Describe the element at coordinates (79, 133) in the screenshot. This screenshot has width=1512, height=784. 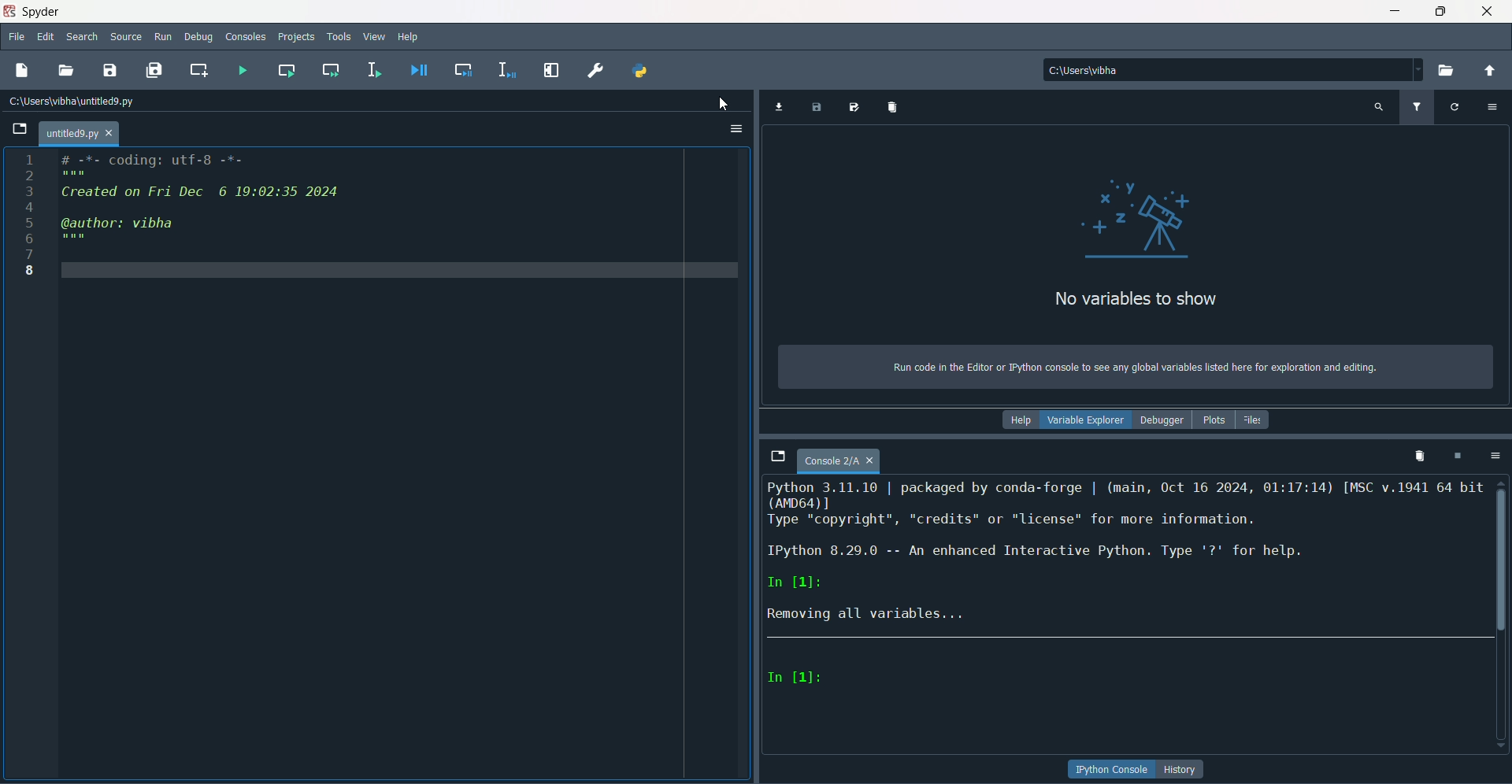
I see `tab name` at that location.